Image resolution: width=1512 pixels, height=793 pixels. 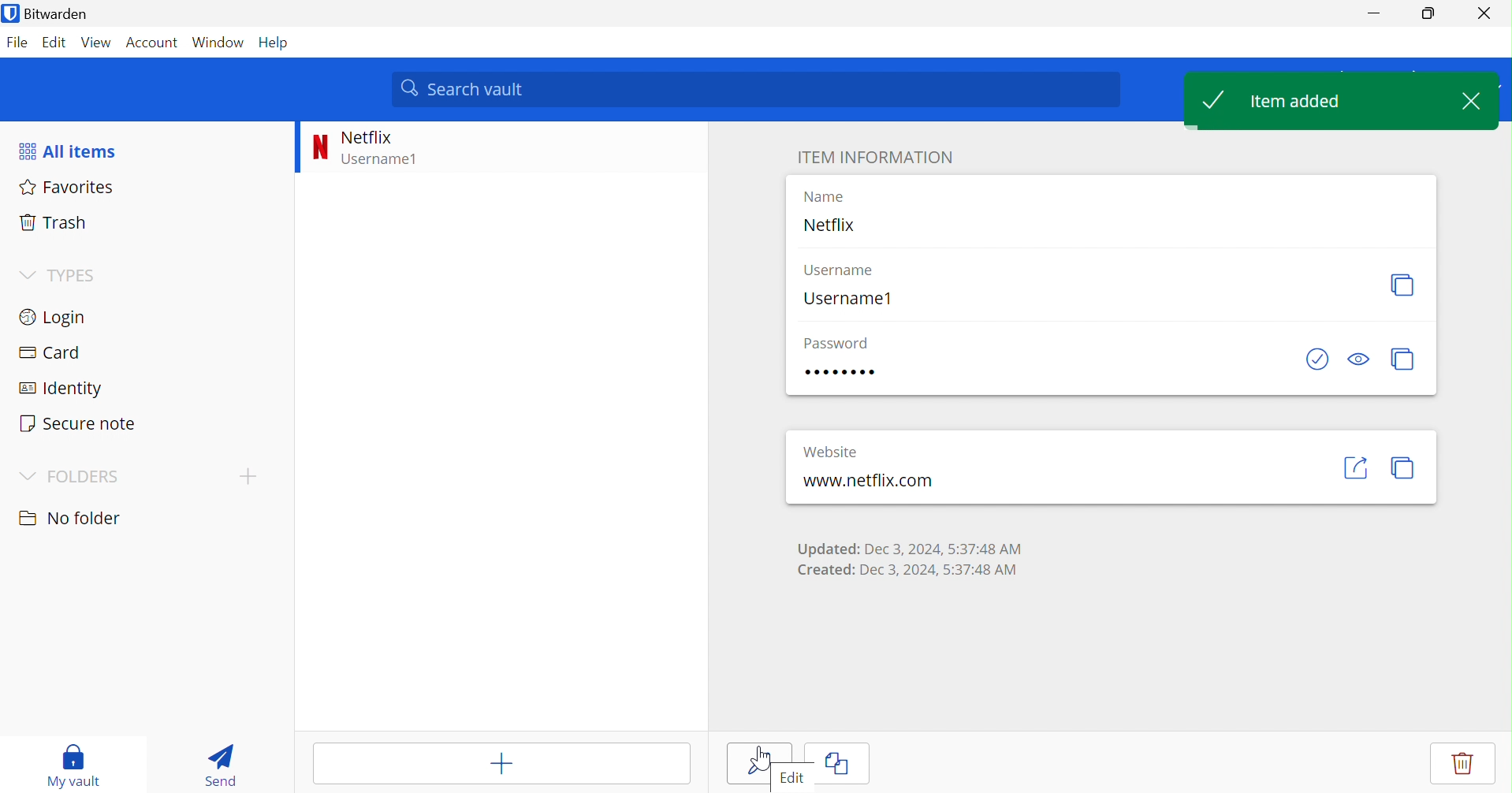 I want to click on Account, so click(x=150, y=42).